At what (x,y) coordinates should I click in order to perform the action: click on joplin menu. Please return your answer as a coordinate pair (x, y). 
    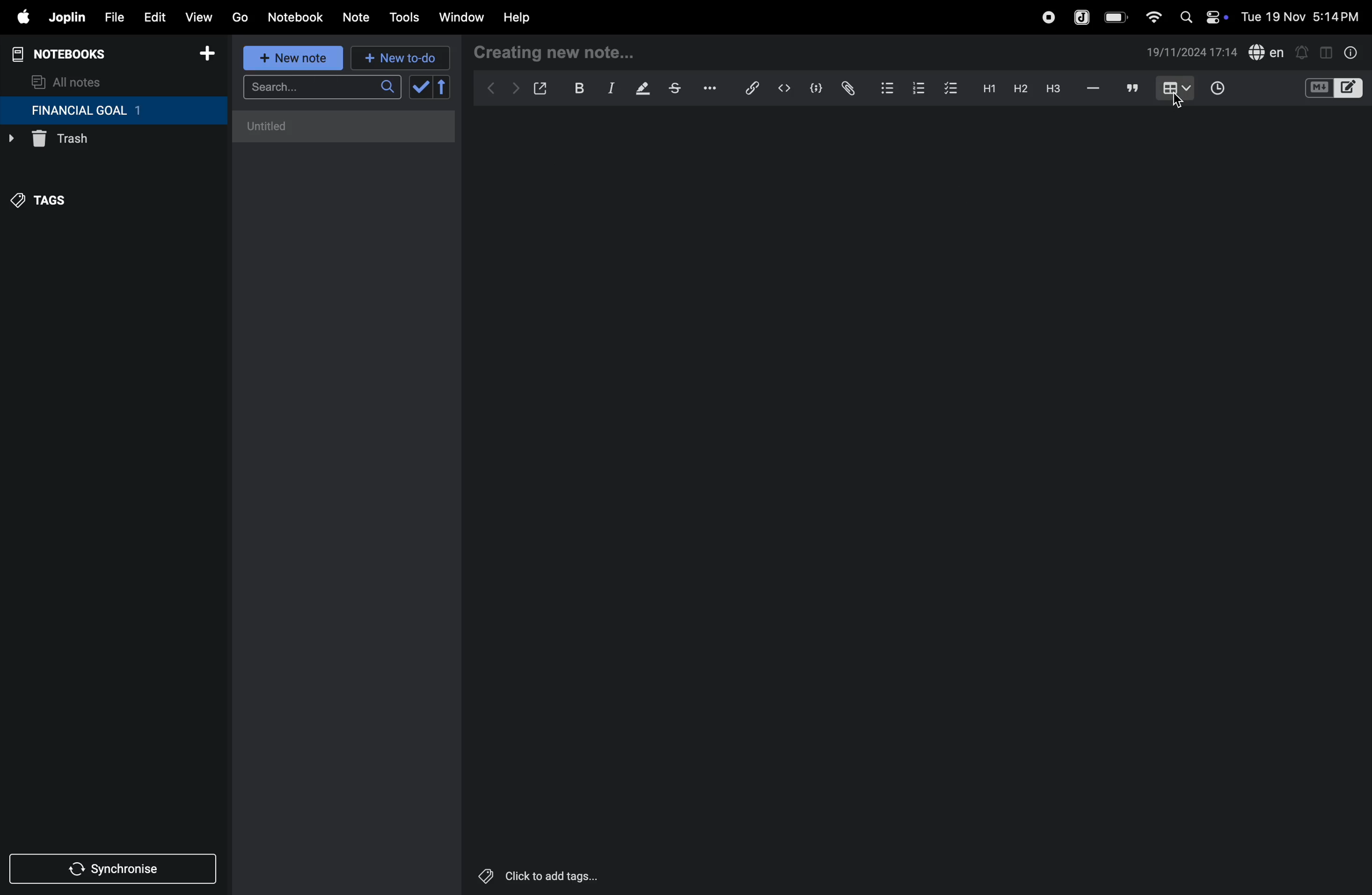
    Looking at the image, I should click on (65, 17).